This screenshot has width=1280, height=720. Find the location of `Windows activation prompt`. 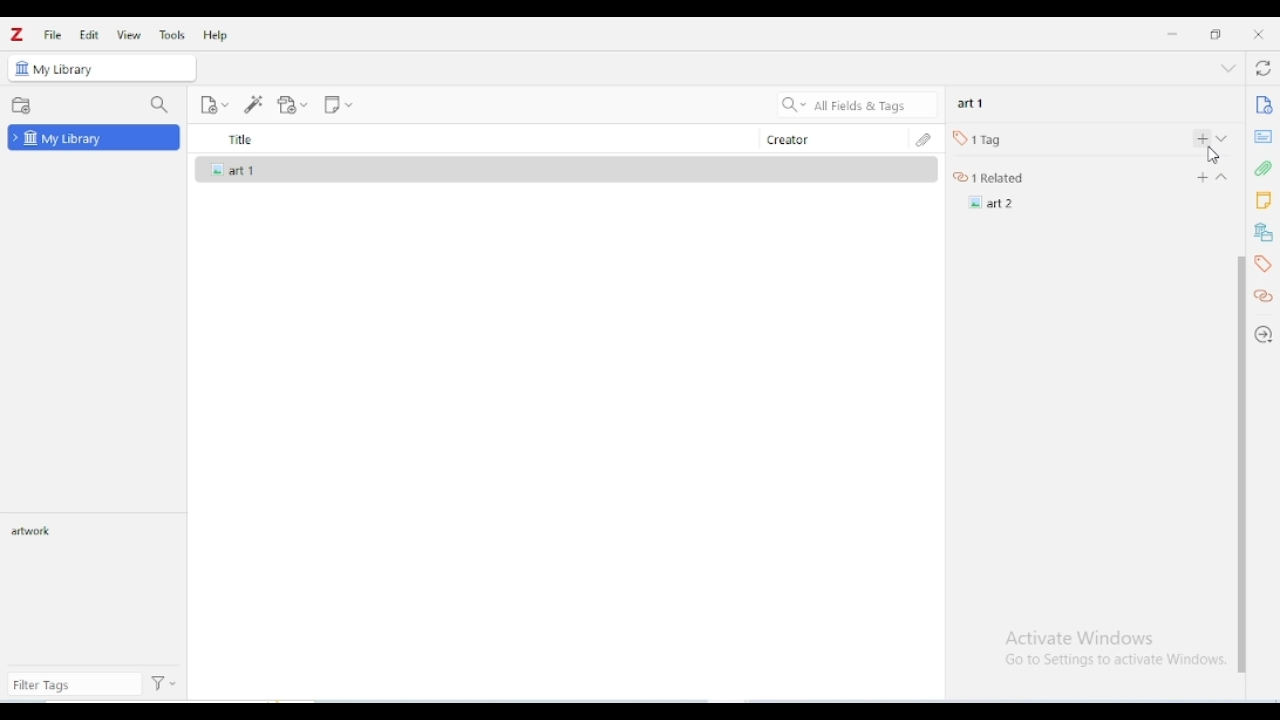

Windows activation prompt is located at coordinates (1104, 647).